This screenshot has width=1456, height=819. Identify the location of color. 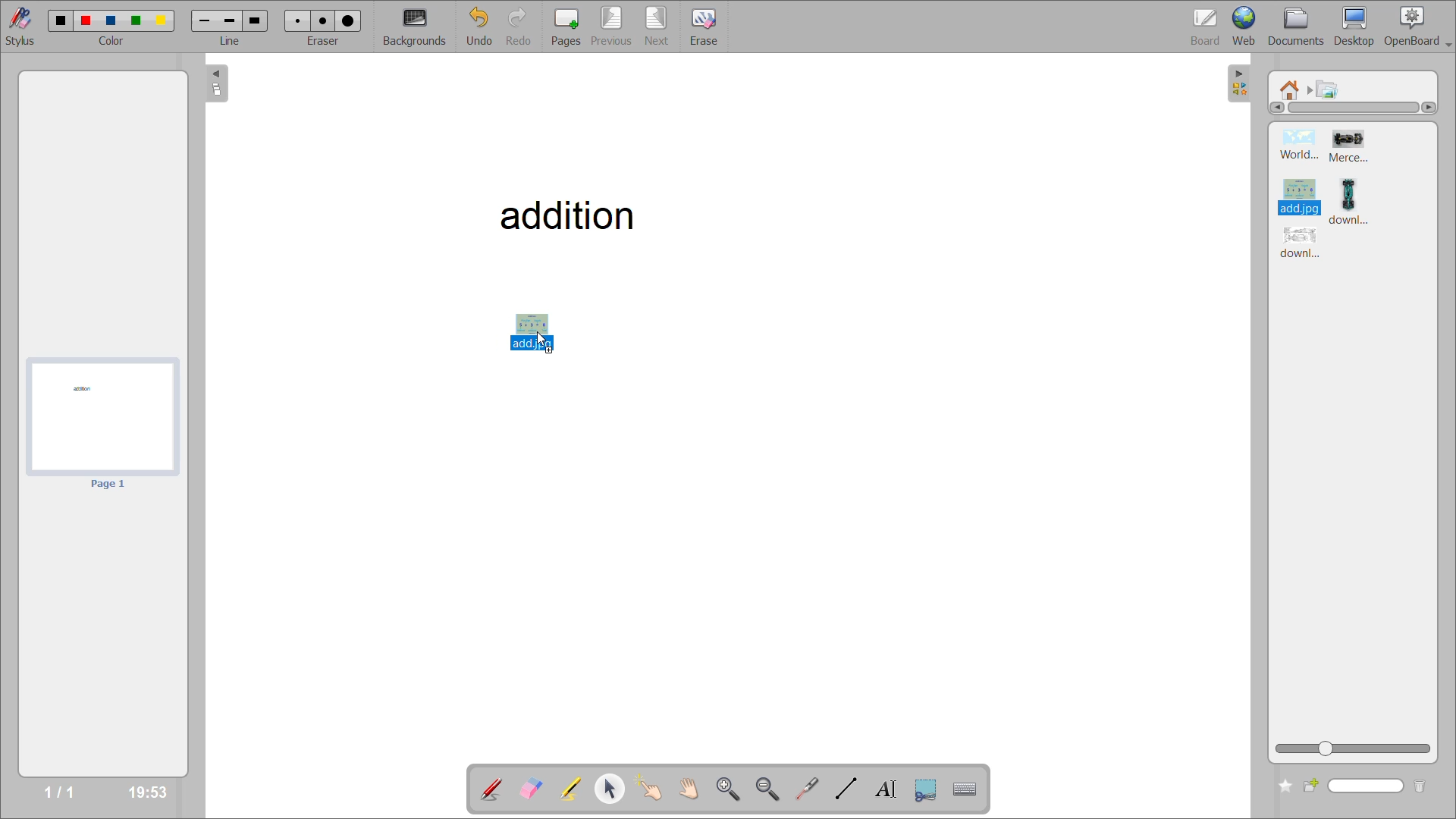
(112, 42).